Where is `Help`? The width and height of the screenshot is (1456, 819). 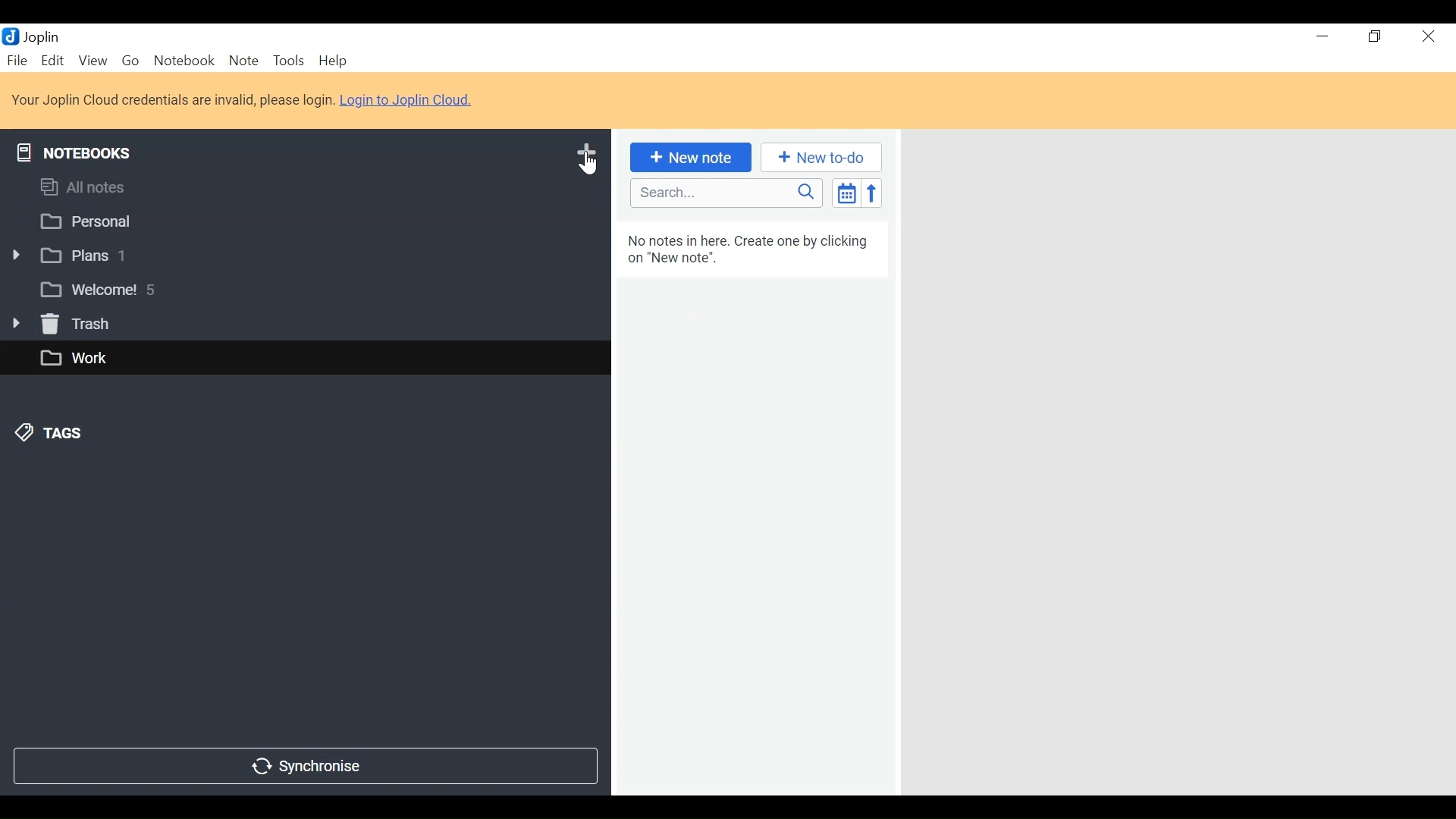
Help is located at coordinates (331, 60).